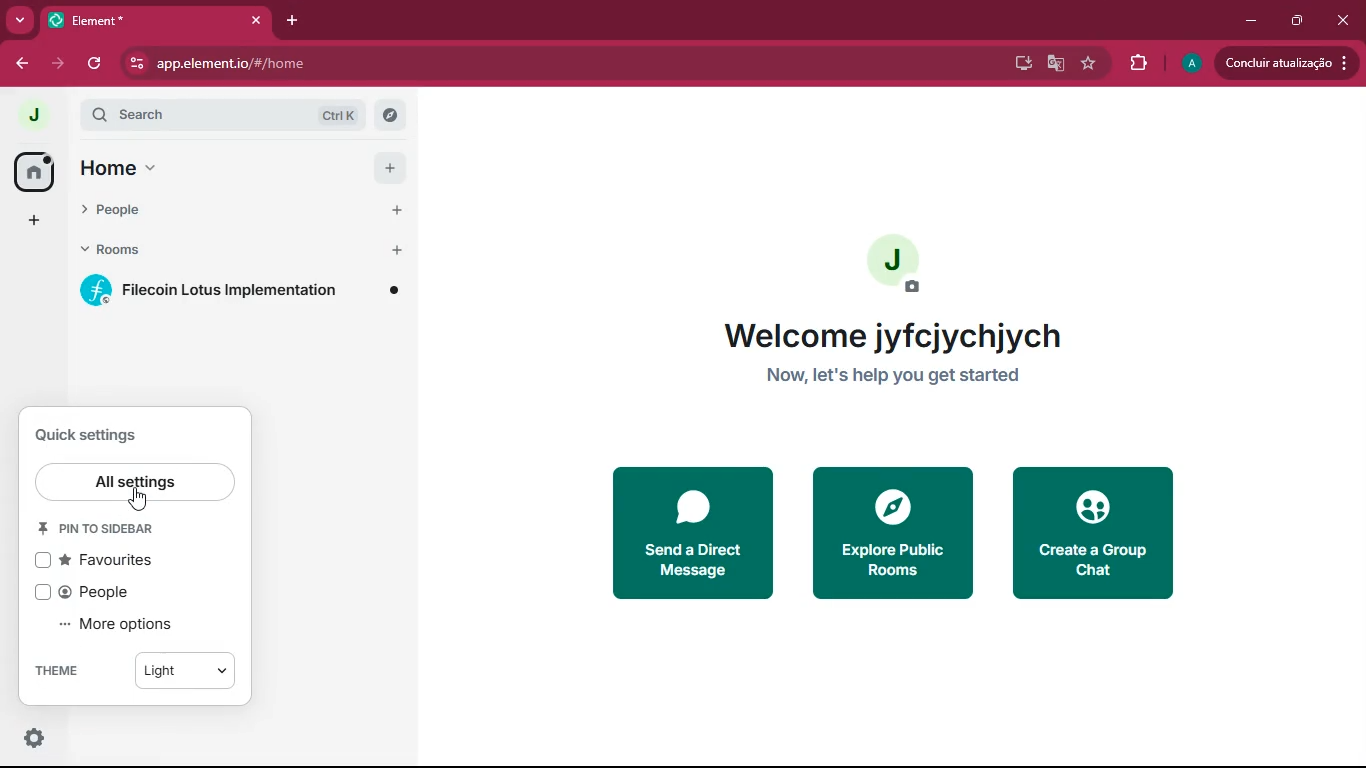  Describe the element at coordinates (256, 20) in the screenshot. I see `close tab` at that location.